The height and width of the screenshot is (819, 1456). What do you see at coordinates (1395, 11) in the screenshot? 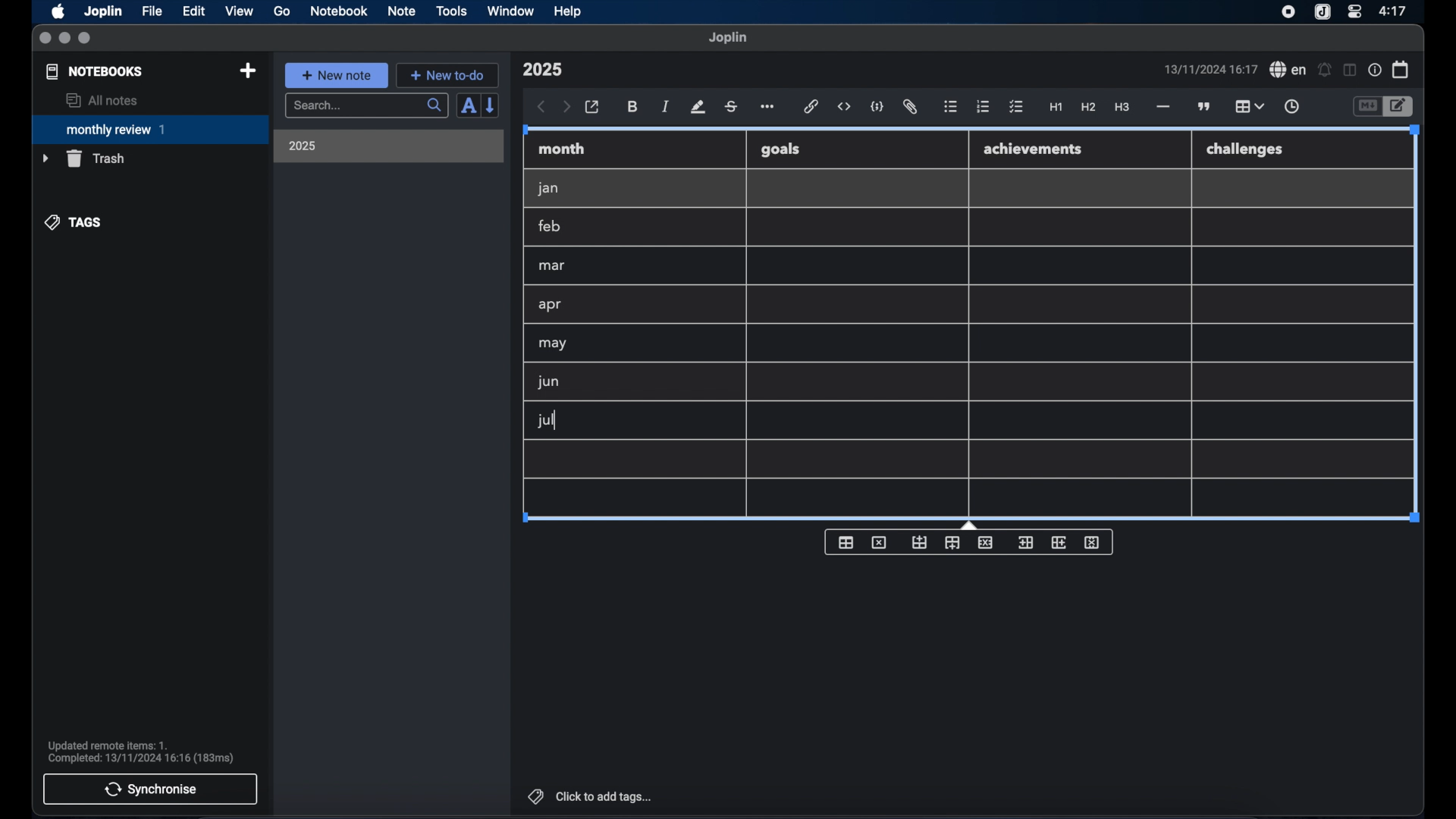
I see `time` at bounding box center [1395, 11].